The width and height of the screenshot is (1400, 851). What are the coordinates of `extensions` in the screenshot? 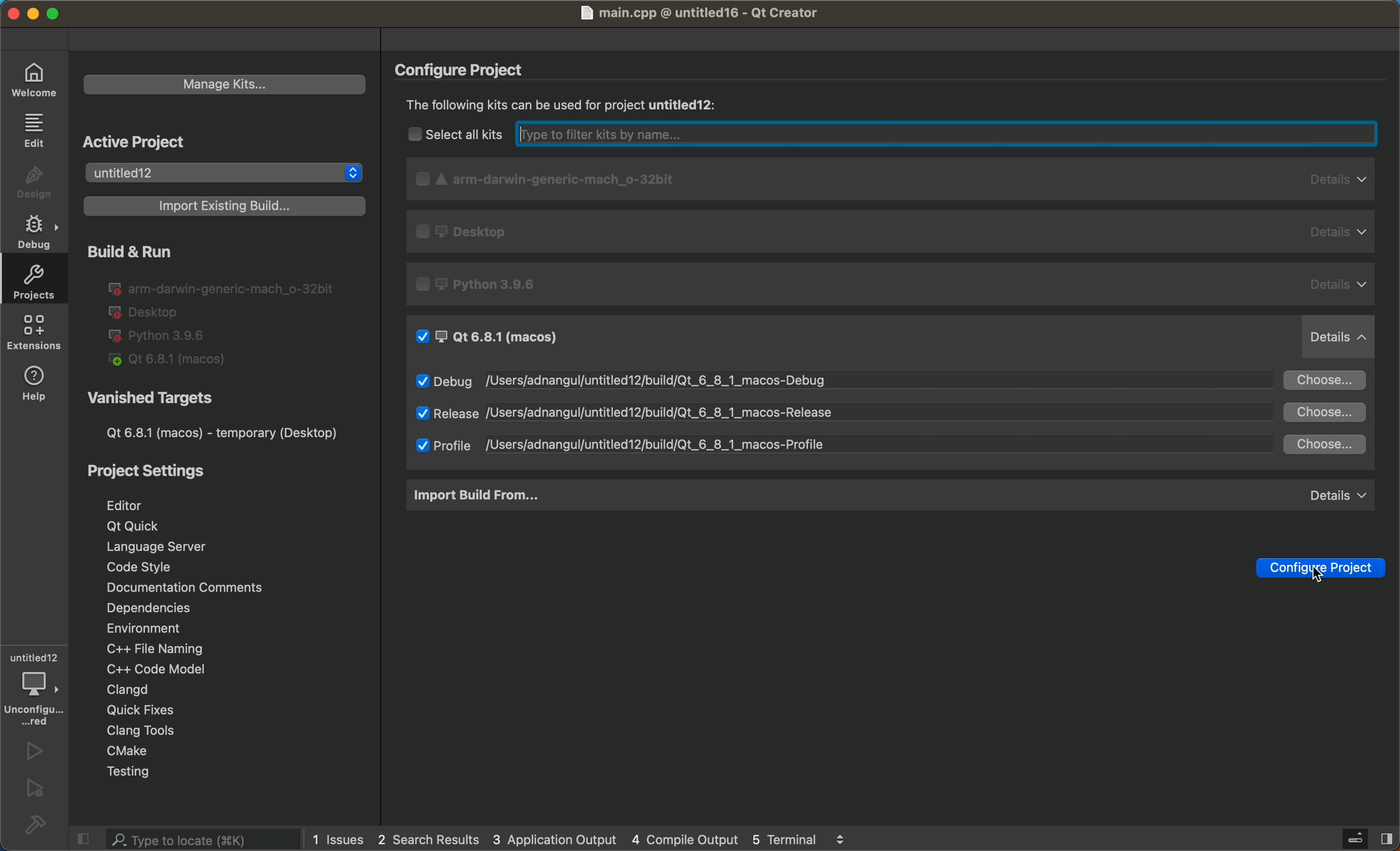 It's located at (37, 331).